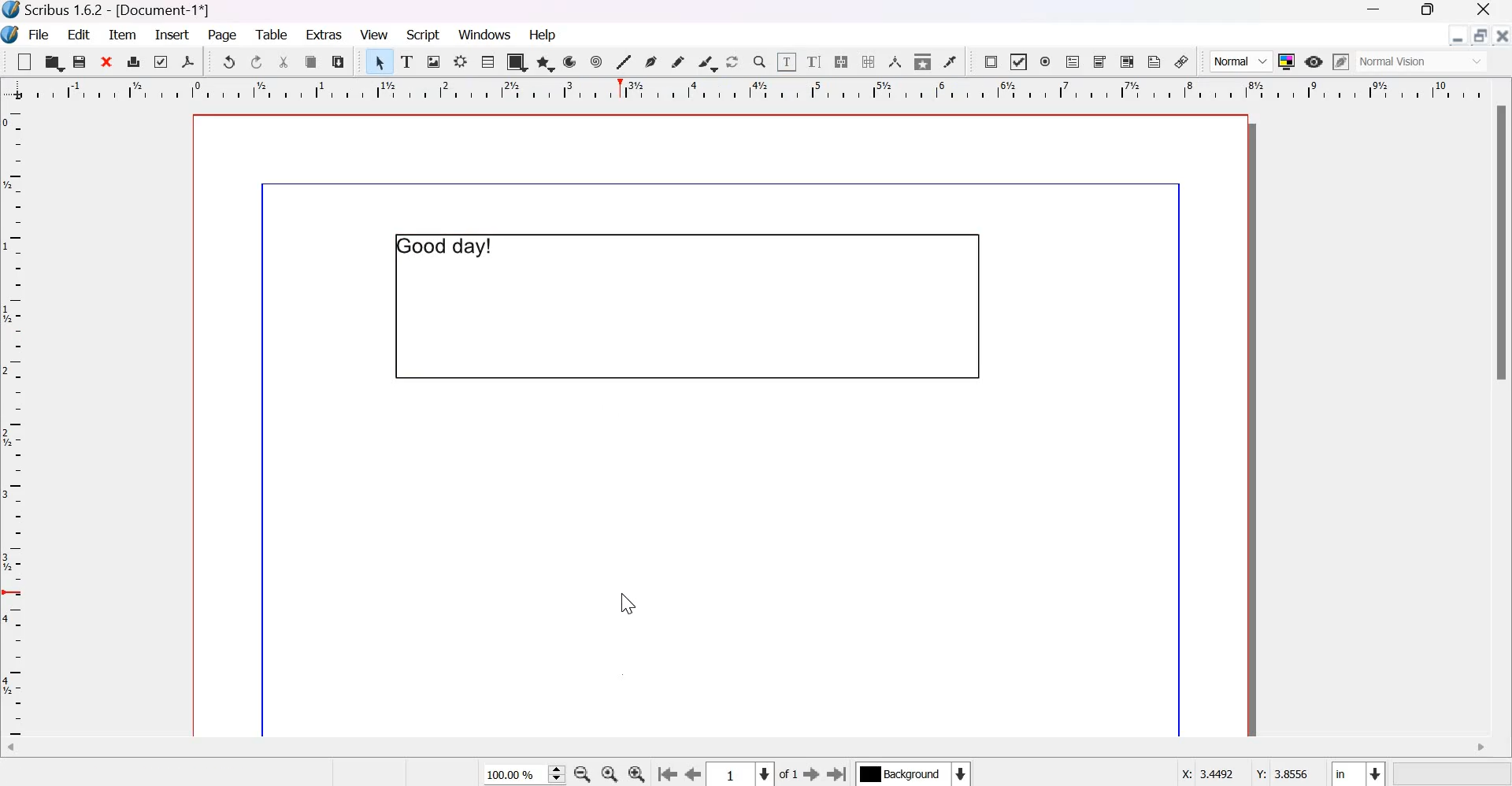  What do you see at coordinates (487, 35) in the screenshot?
I see `windows` at bounding box center [487, 35].